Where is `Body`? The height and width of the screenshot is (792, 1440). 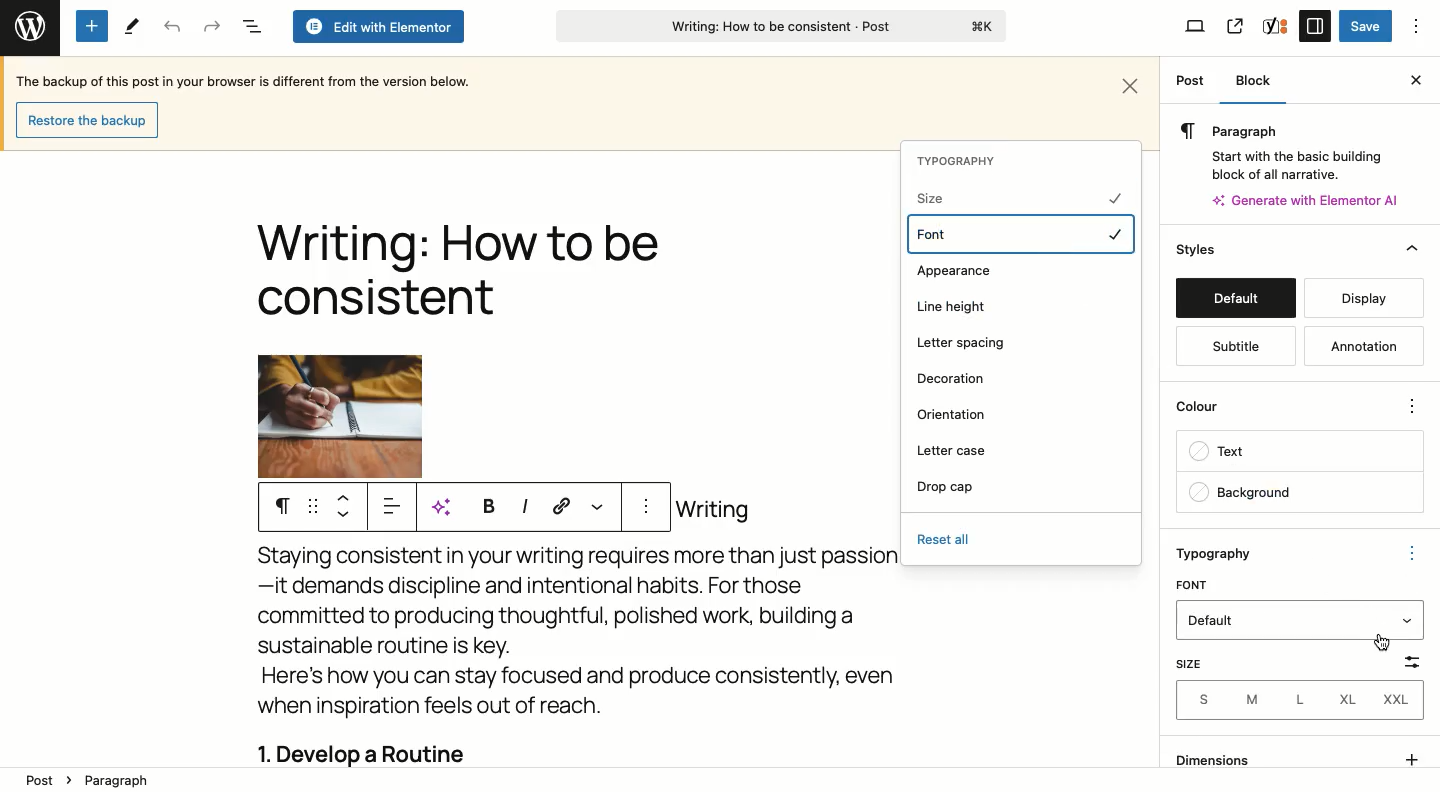 Body is located at coordinates (598, 629).